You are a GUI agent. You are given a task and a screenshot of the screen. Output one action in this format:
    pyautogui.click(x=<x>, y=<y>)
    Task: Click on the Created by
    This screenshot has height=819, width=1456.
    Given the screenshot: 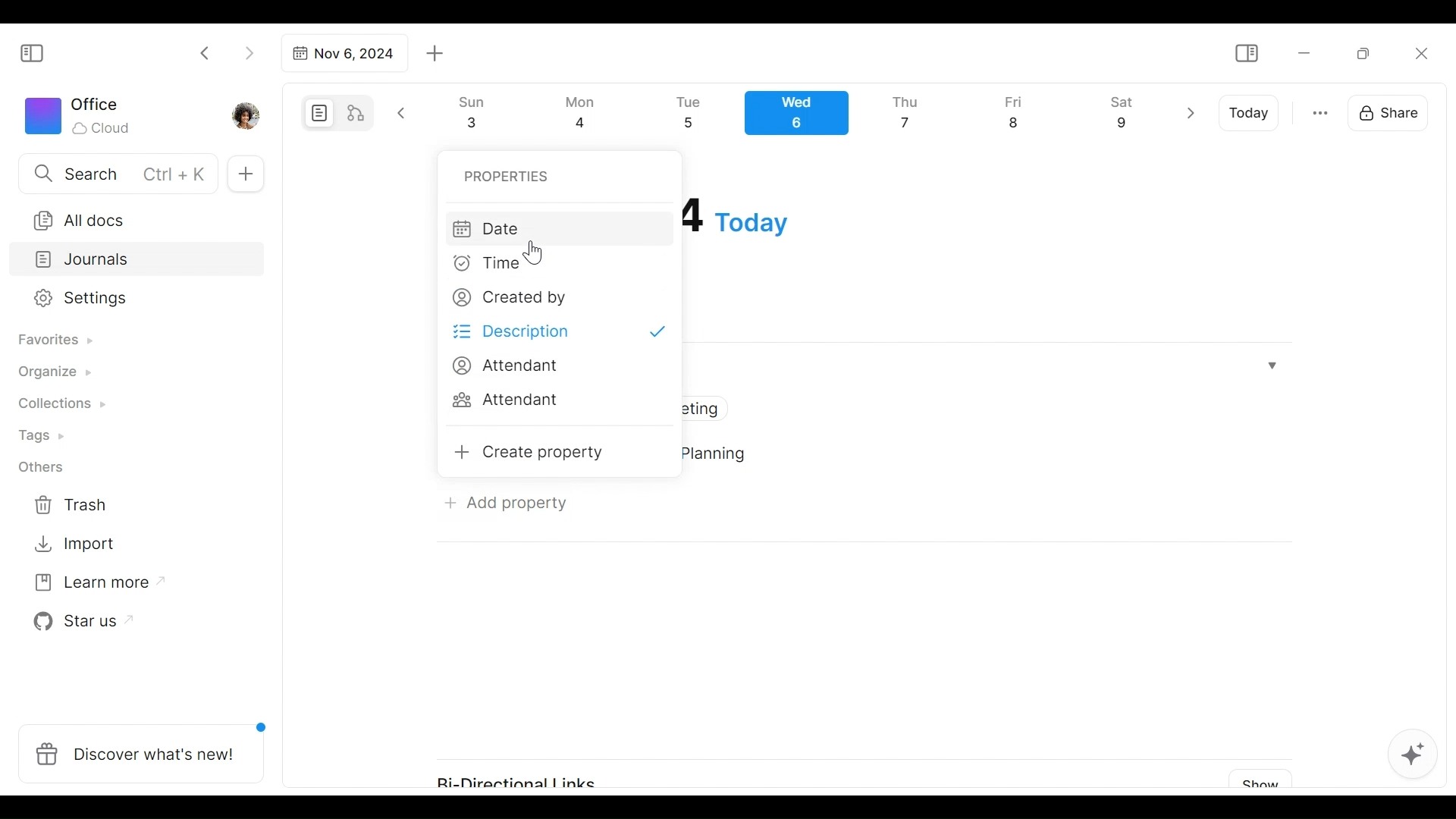 What is the action you would take?
    pyautogui.click(x=507, y=300)
    